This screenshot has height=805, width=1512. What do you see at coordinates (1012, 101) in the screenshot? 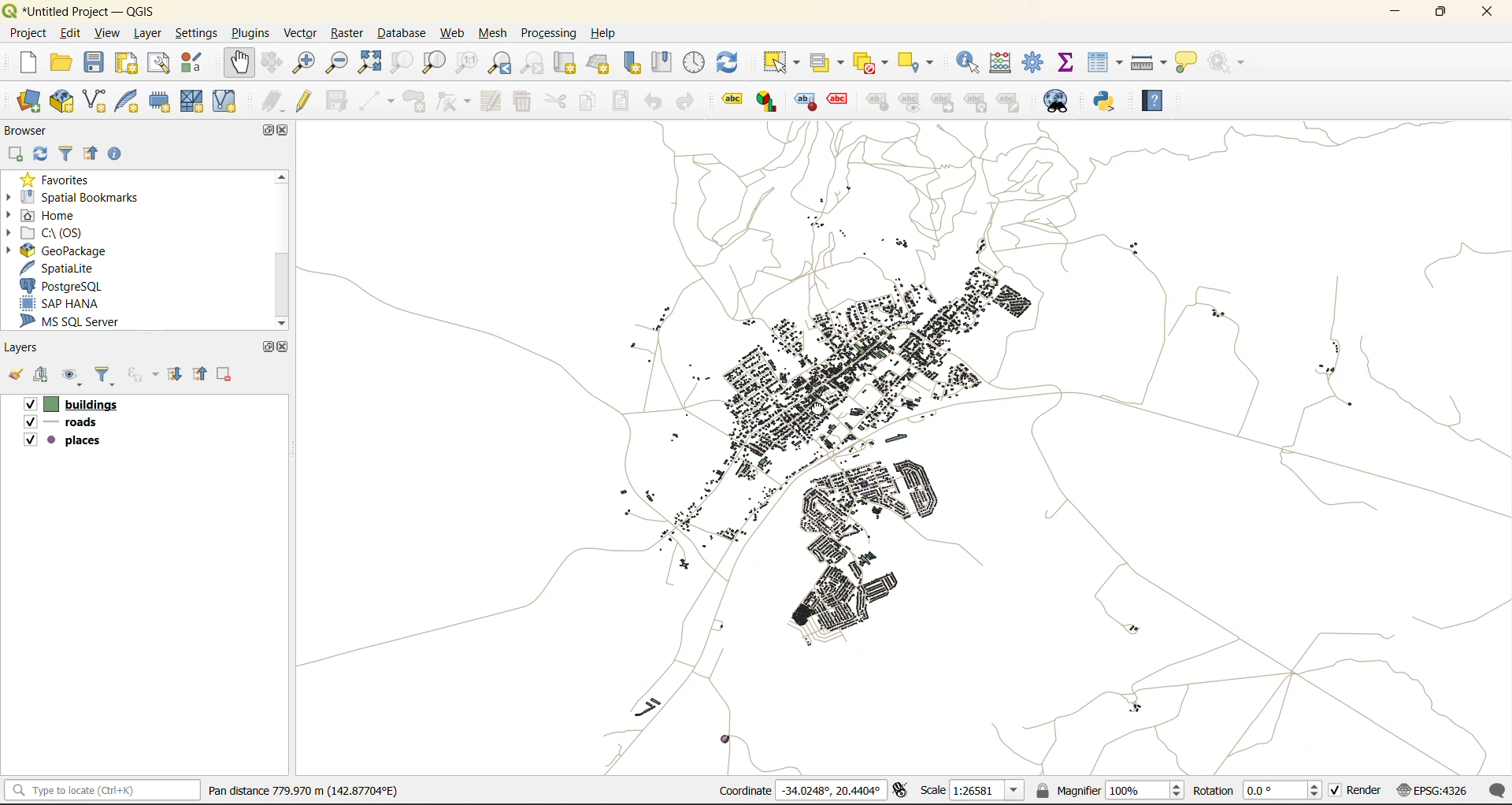
I see `Note label` at bounding box center [1012, 101].